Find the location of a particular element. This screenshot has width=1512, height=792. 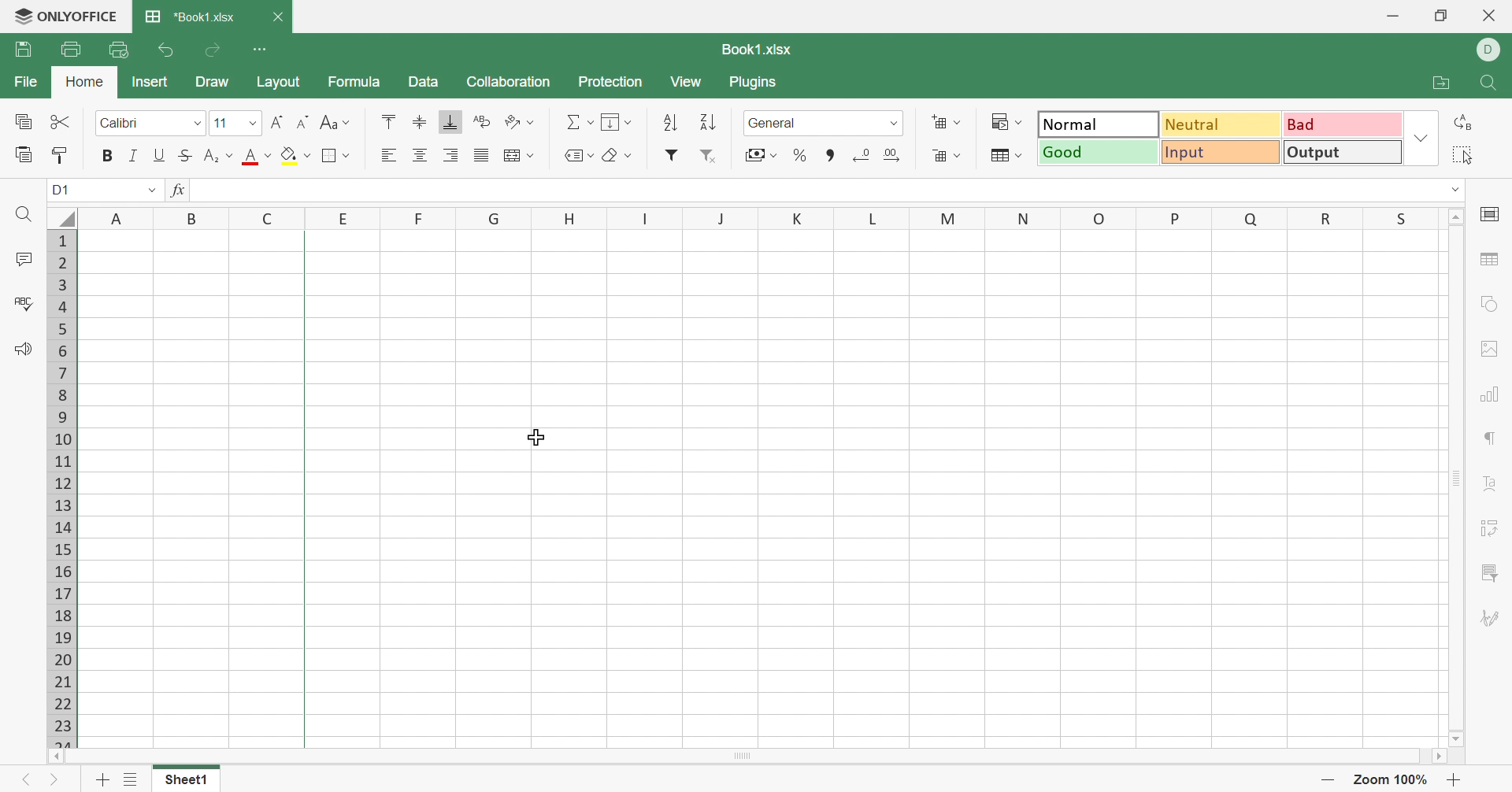

Drop Down is located at coordinates (1021, 154).